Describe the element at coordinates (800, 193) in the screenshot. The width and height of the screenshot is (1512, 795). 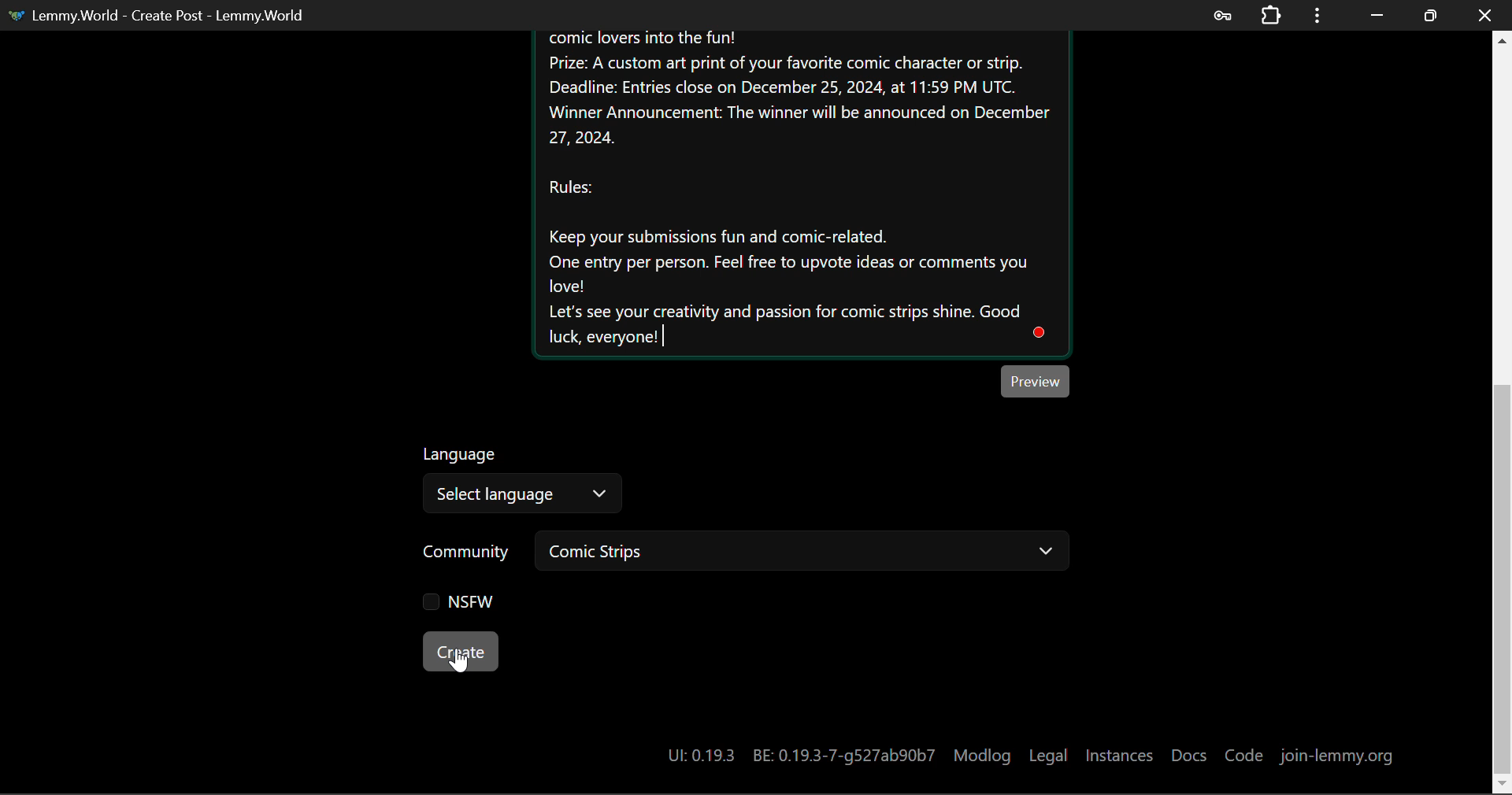
I see `Hey Comic Strips Community!To celebrate our shared love for all things comics, we're hosting a special giveaway. Here's how you can enter: Comment below with: Your favorite comic strip of all time ORA comic strip idea you'd love to see created. Optional Bonus Entry: Share this post with your friends to bring morecomic lovers into the fun! Prize: A custom art print of your favorite comic character or strip. Deadline: Entries close on December 25, 2024, at 11:59 PM UTC. Winner Announcement: The winner will be announced on December 27, 2024. Rules:Keep your submissions fun and comic-related. One entry per person. Feel free to upvote ideas or comments youlove! Let's see your creativity and passion for comic strips shine. Goodluck, everyone!` at that location.